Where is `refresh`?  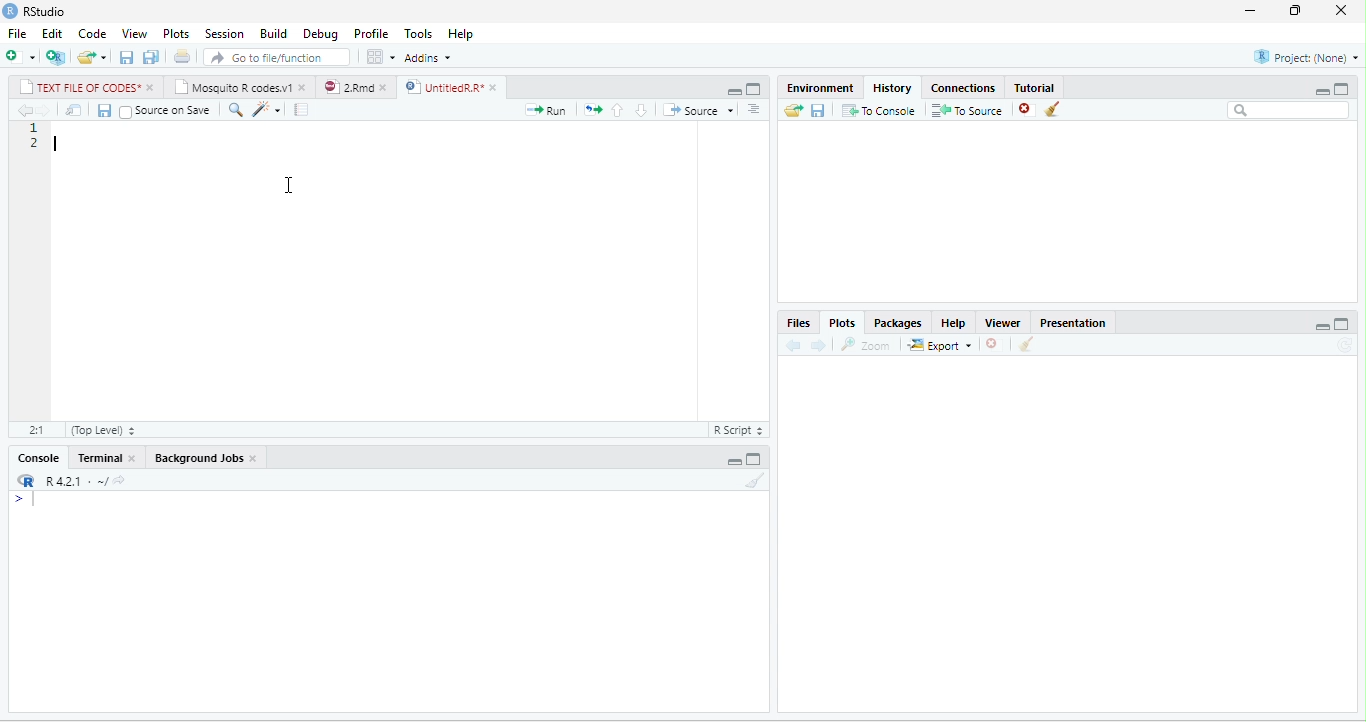
refresh is located at coordinates (1345, 345).